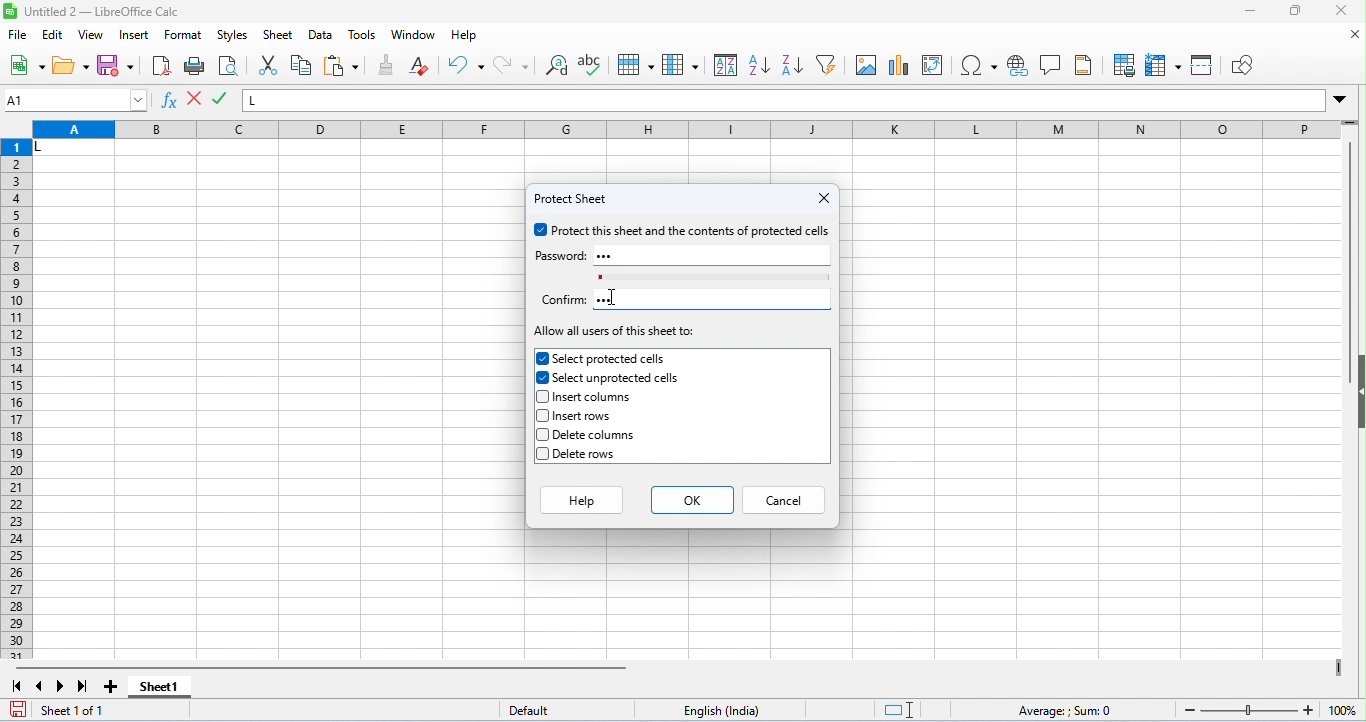  What do you see at coordinates (616, 332) in the screenshot?
I see `allow all users of this sheet to` at bounding box center [616, 332].